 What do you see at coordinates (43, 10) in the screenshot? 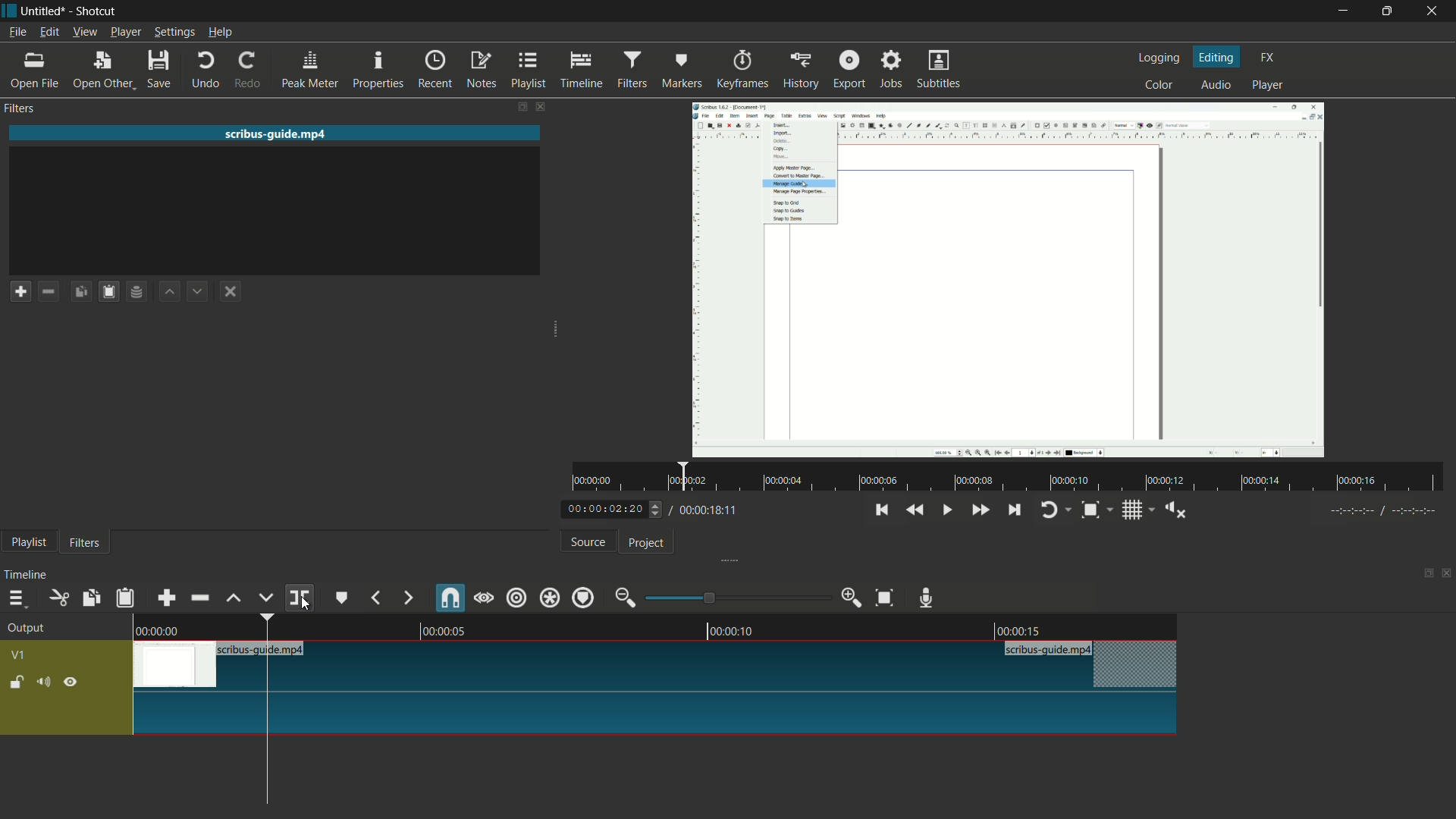
I see `project name` at bounding box center [43, 10].